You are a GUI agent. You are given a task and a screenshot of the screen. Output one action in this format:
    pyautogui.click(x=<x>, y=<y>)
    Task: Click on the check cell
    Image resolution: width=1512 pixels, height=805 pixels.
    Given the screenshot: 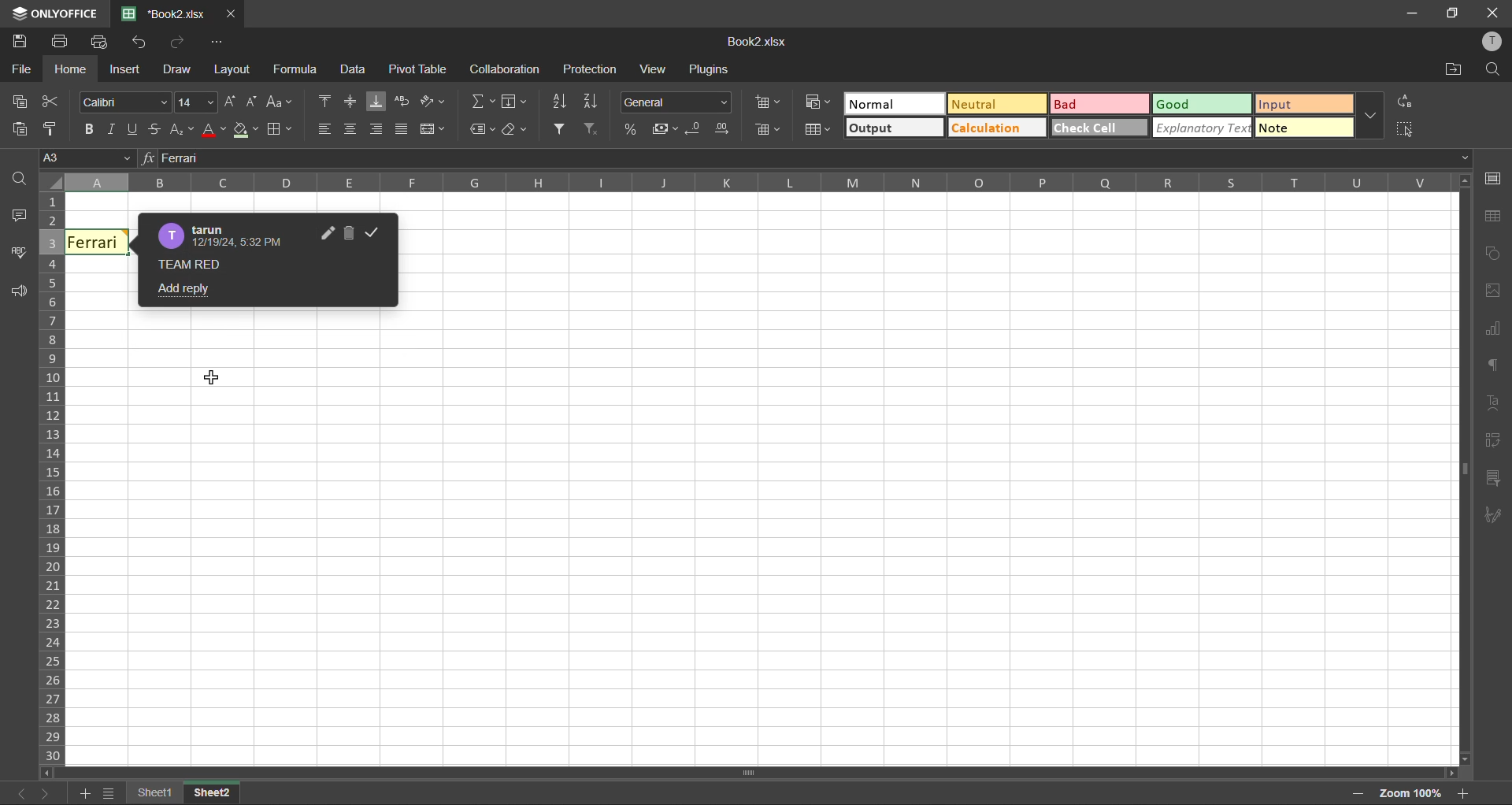 What is the action you would take?
    pyautogui.click(x=1087, y=131)
    